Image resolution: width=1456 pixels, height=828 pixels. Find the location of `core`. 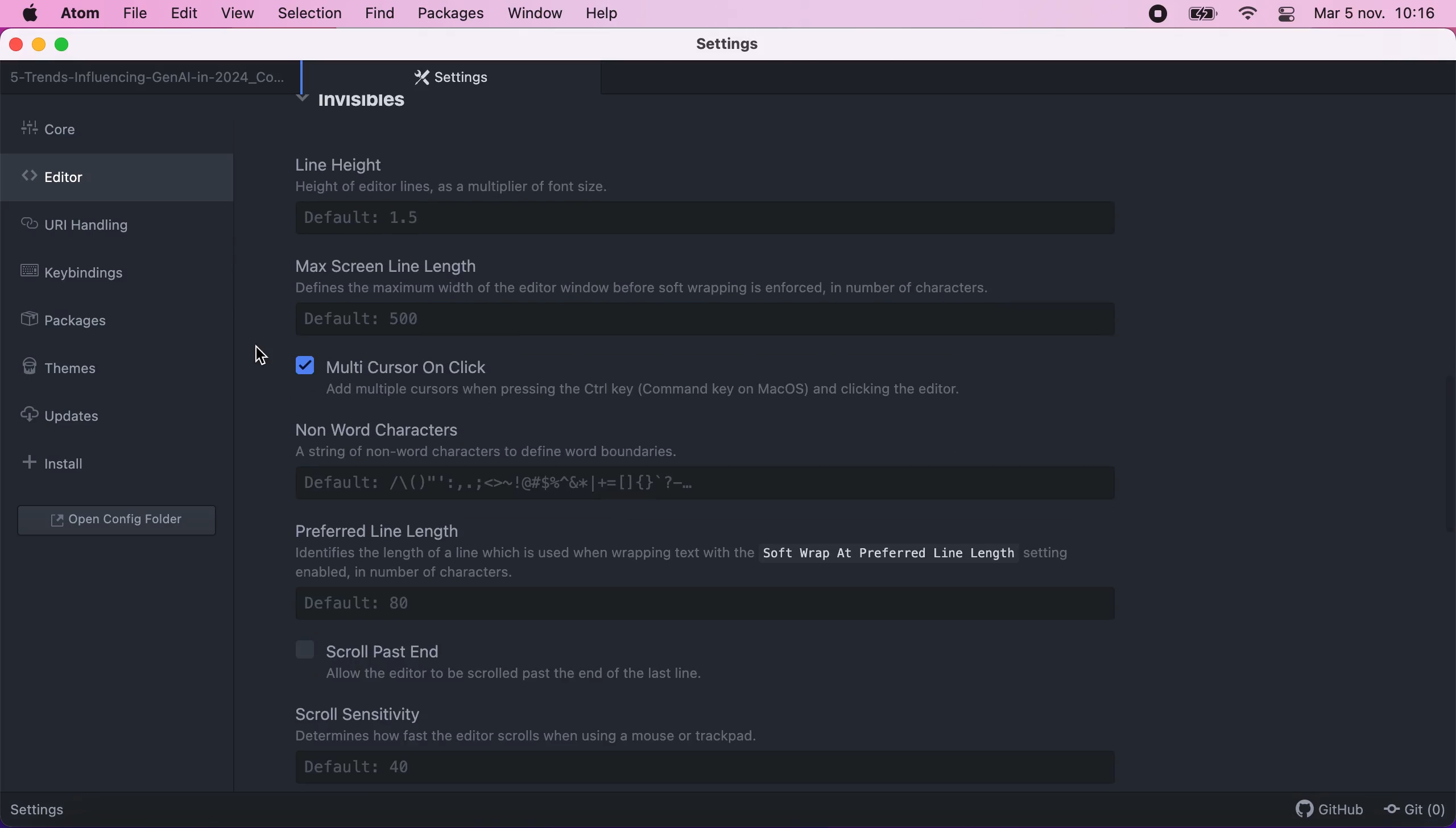

core is located at coordinates (120, 130).